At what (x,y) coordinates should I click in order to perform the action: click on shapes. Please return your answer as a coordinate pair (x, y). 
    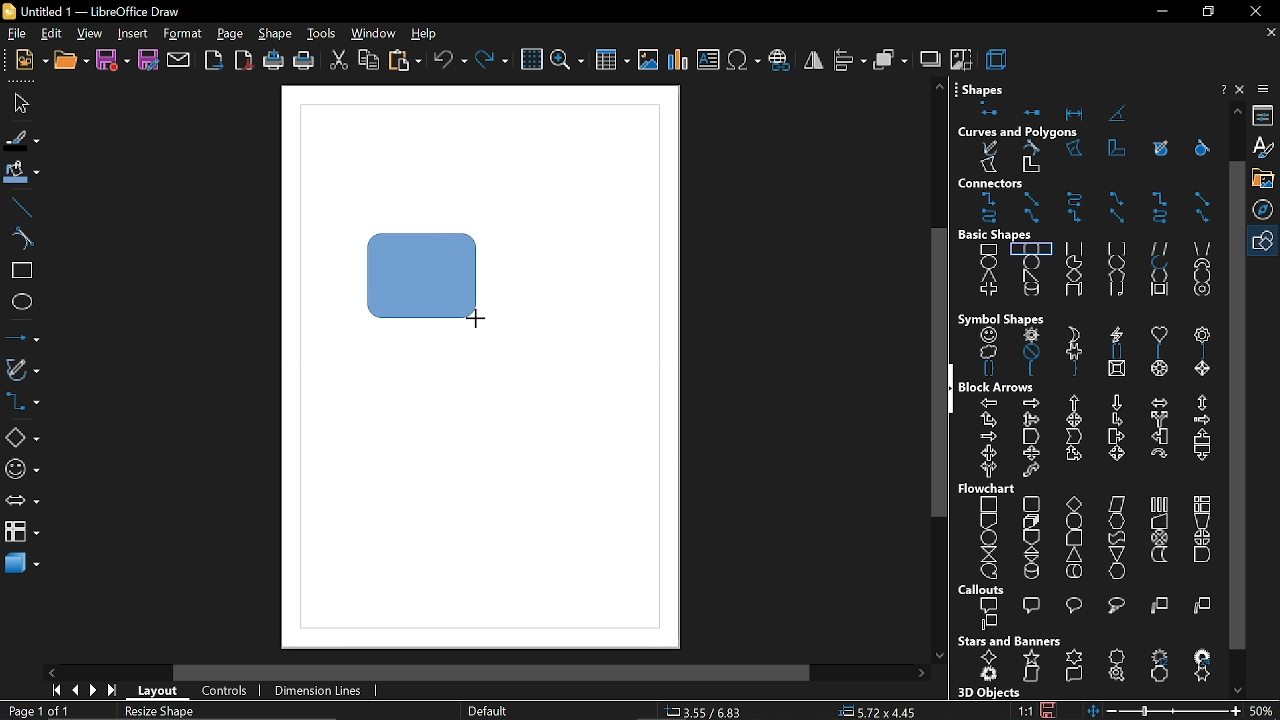
    Looking at the image, I should click on (1081, 110).